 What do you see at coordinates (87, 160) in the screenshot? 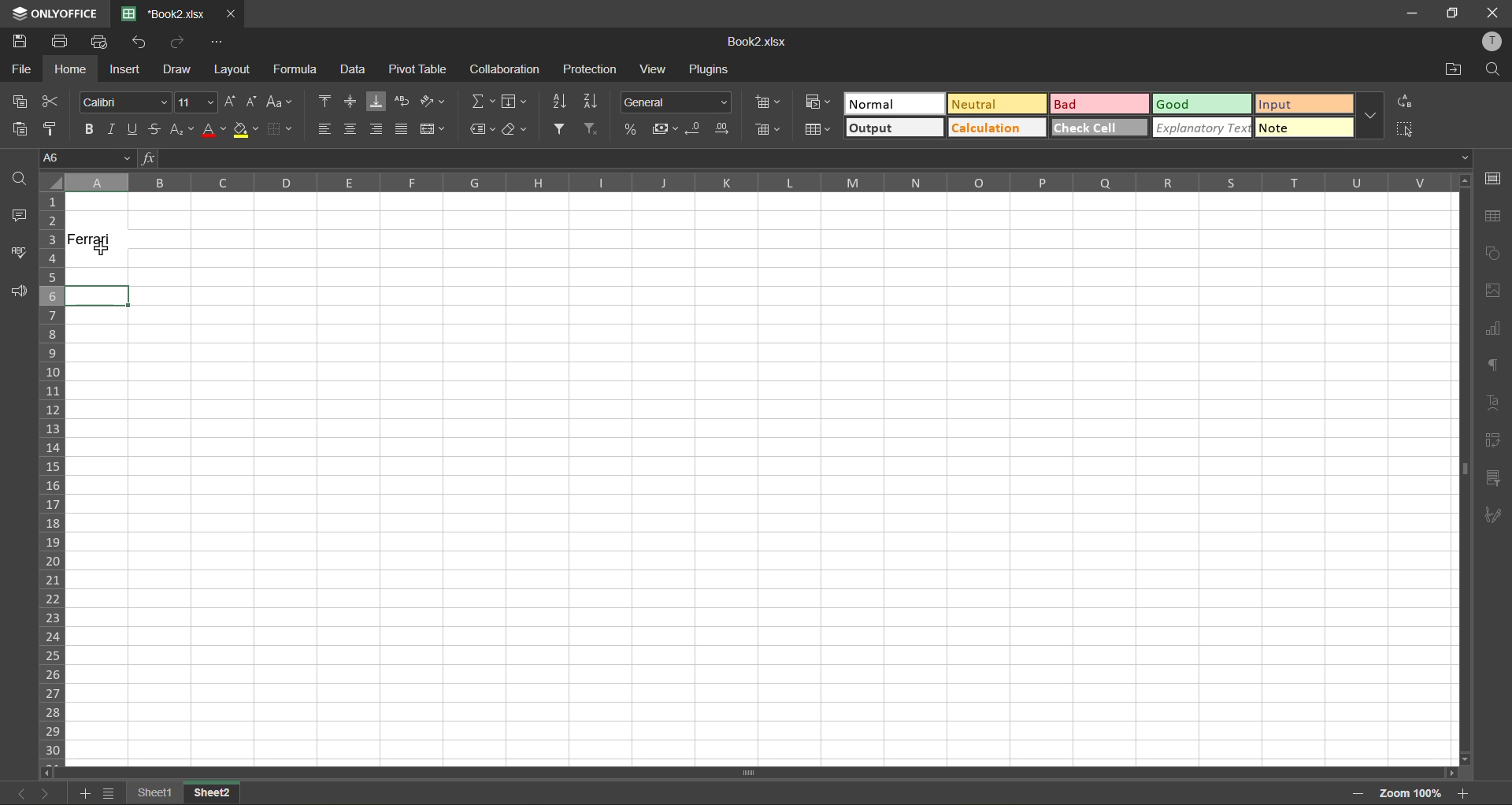
I see `cell address` at bounding box center [87, 160].